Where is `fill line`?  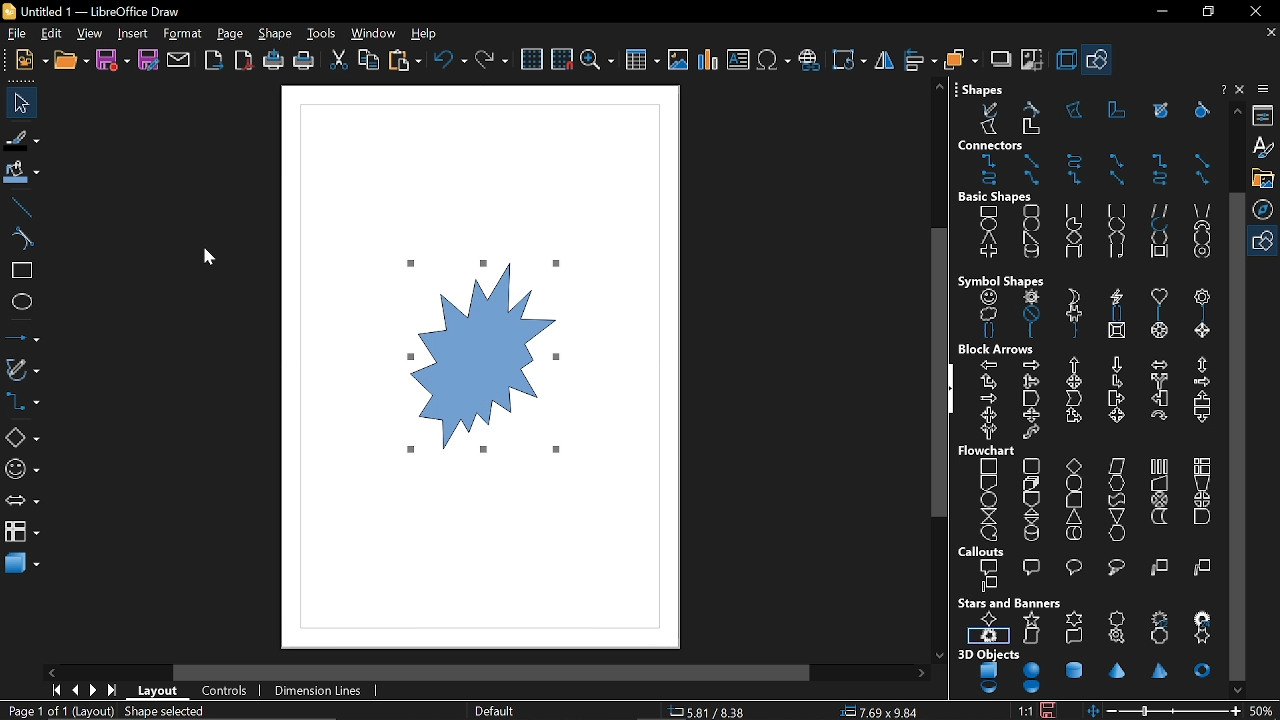 fill line is located at coordinates (21, 141).